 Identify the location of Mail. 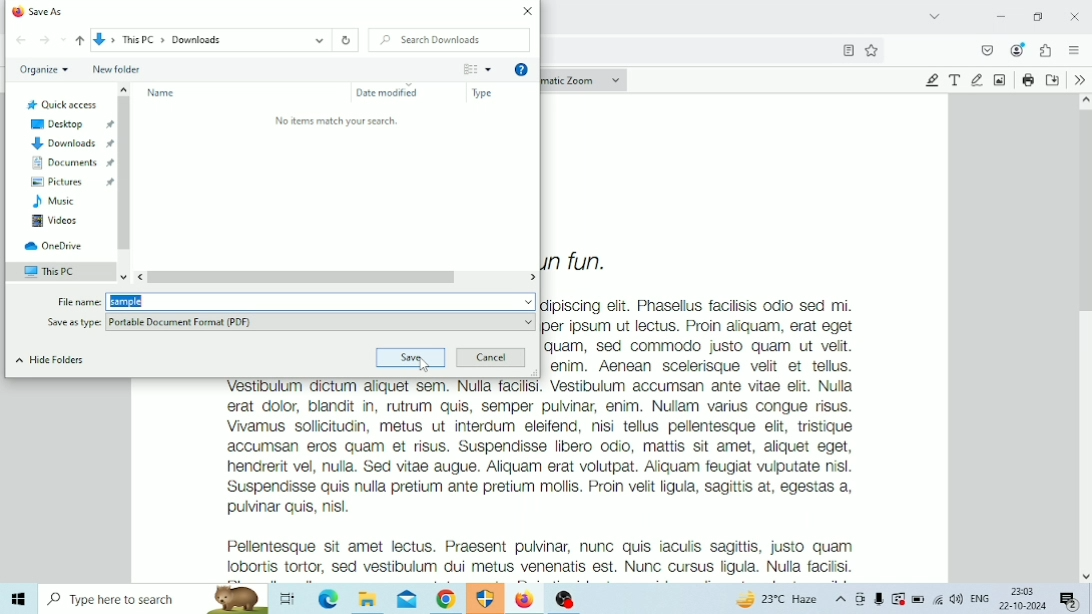
(407, 600).